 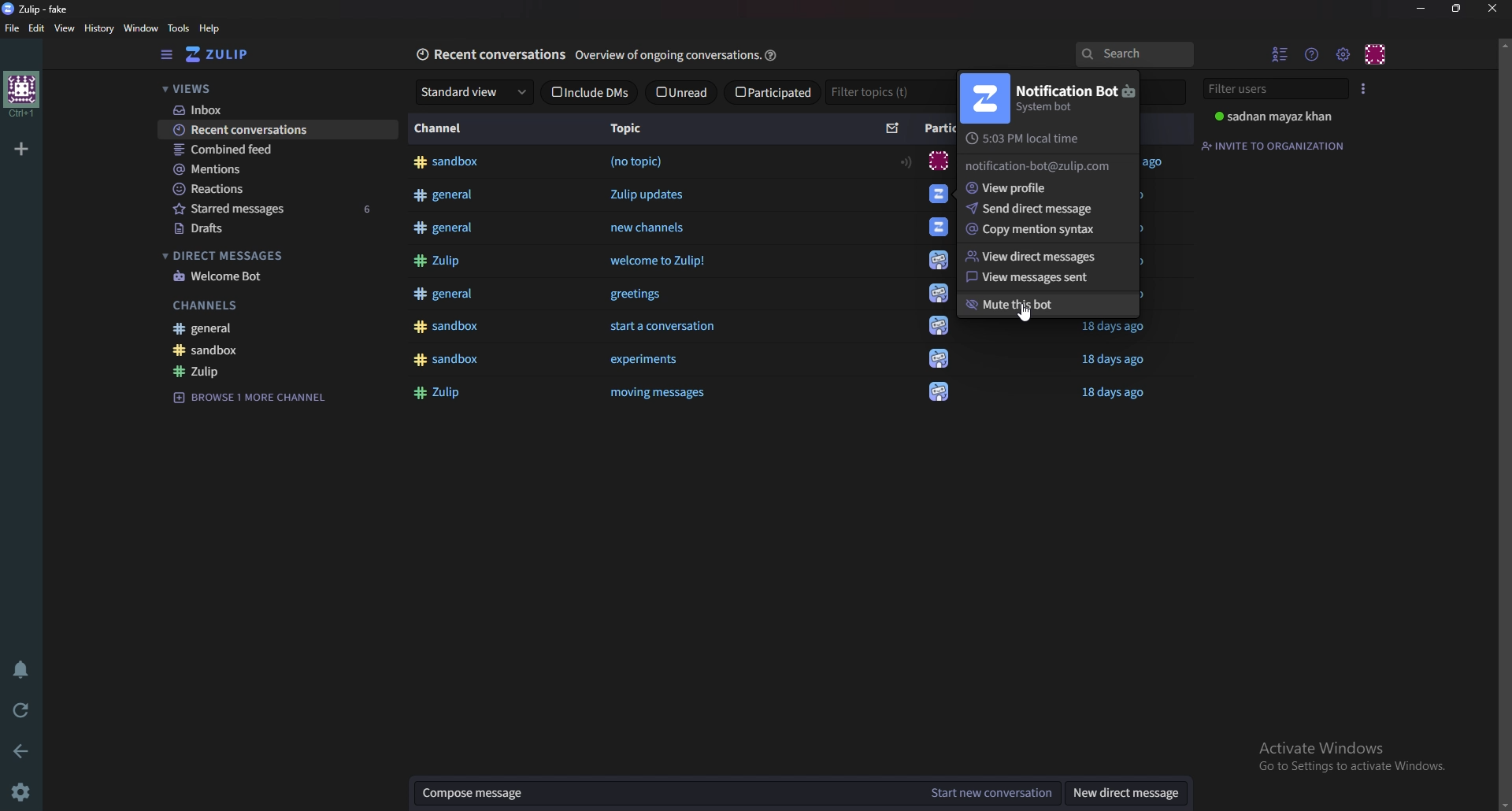 I want to click on icon, so click(x=939, y=325).